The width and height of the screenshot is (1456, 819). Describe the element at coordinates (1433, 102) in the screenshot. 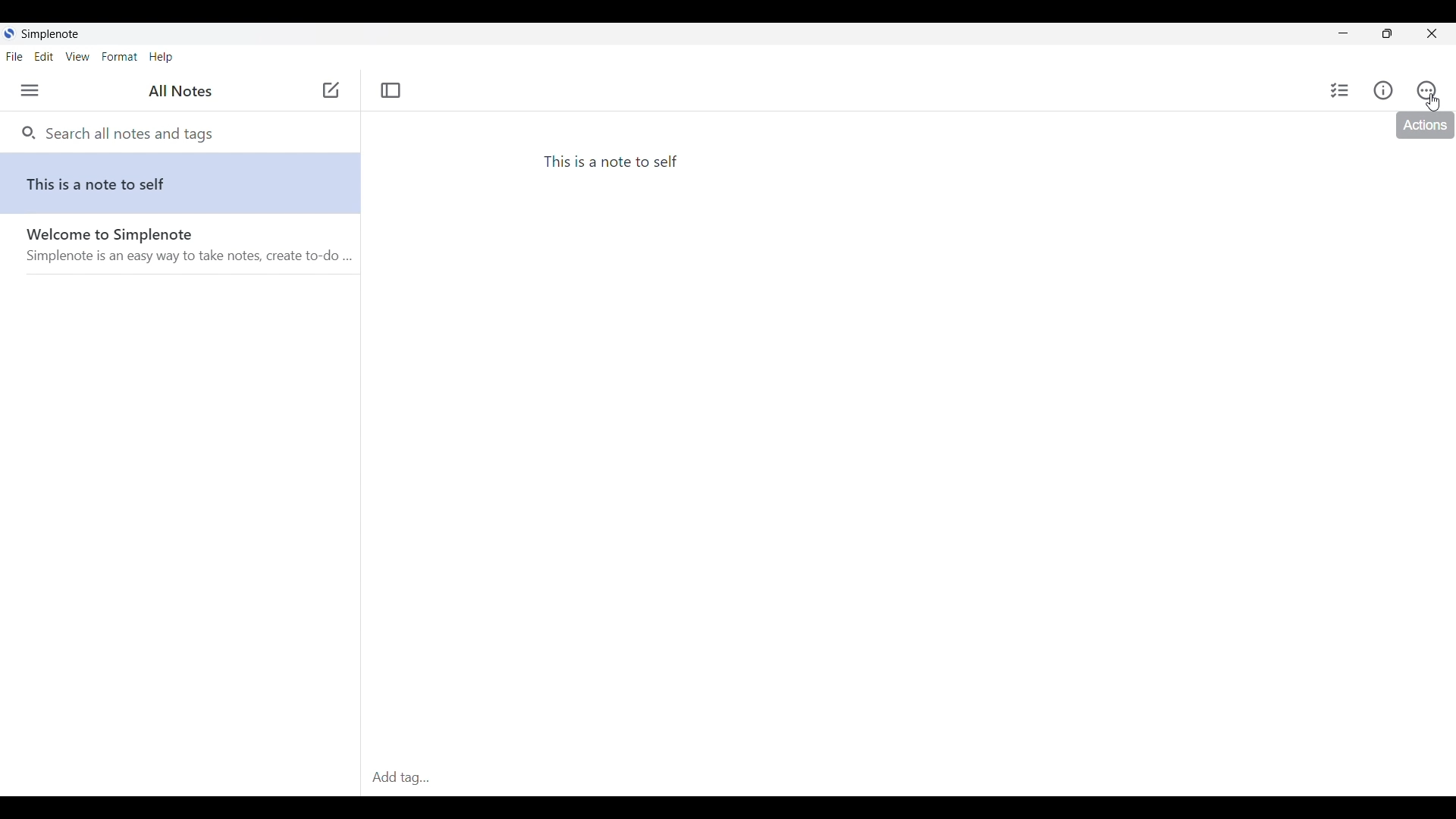

I see `Cursor clicking on Actions` at that location.